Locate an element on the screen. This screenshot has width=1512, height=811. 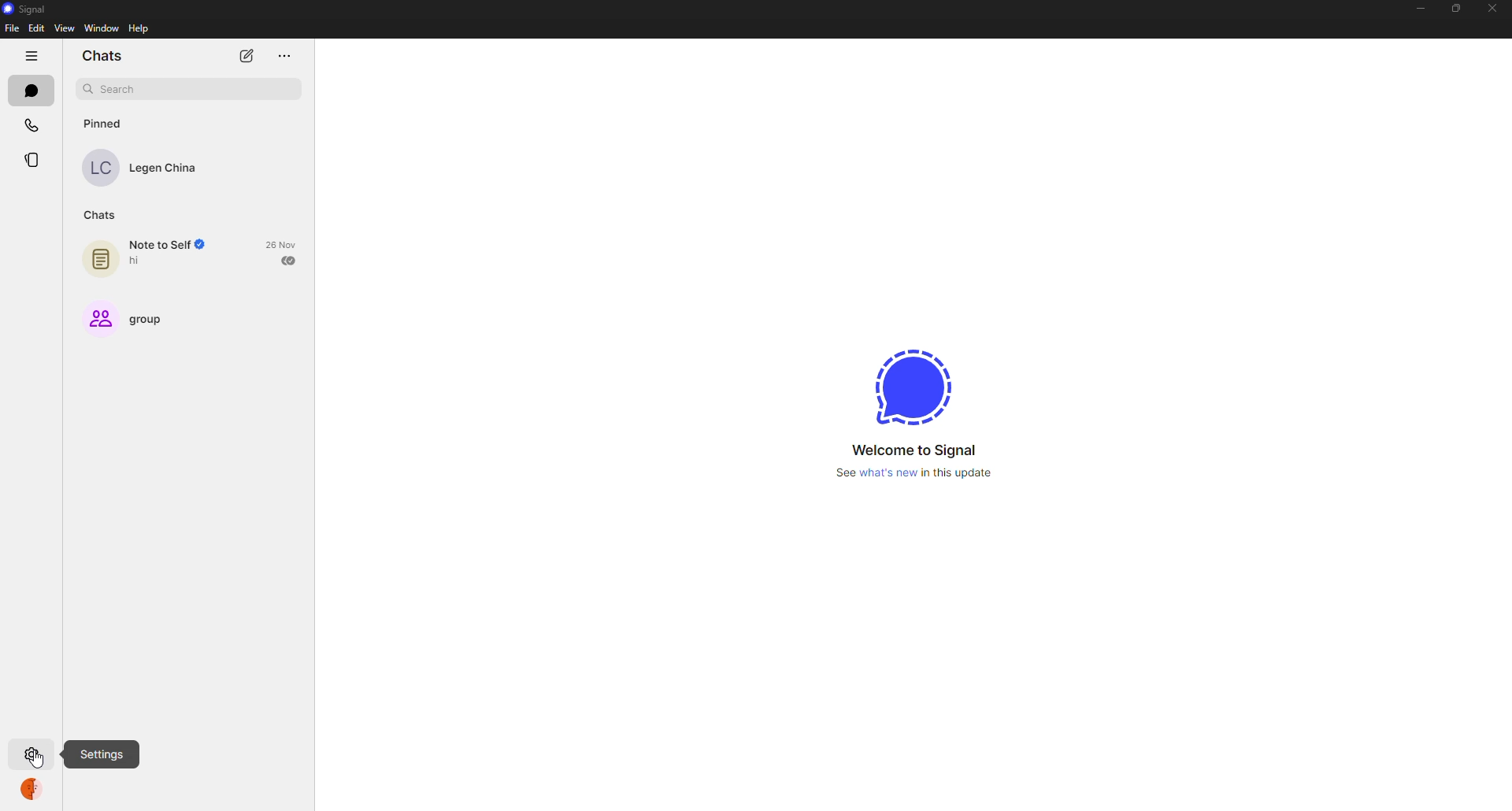
settings is located at coordinates (33, 755).